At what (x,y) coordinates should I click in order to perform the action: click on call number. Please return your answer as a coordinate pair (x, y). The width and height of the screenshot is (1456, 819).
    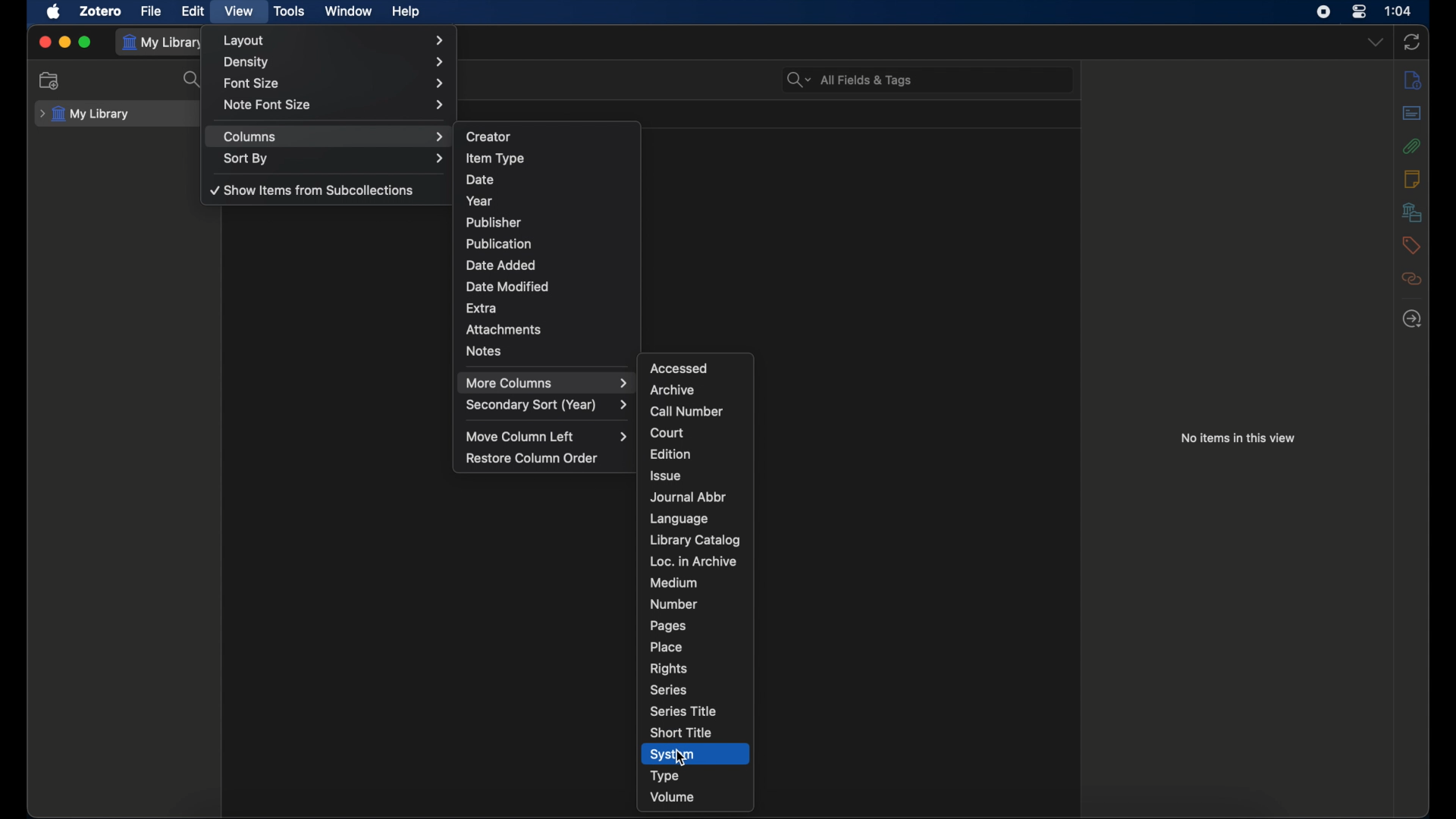
    Looking at the image, I should click on (687, 412).